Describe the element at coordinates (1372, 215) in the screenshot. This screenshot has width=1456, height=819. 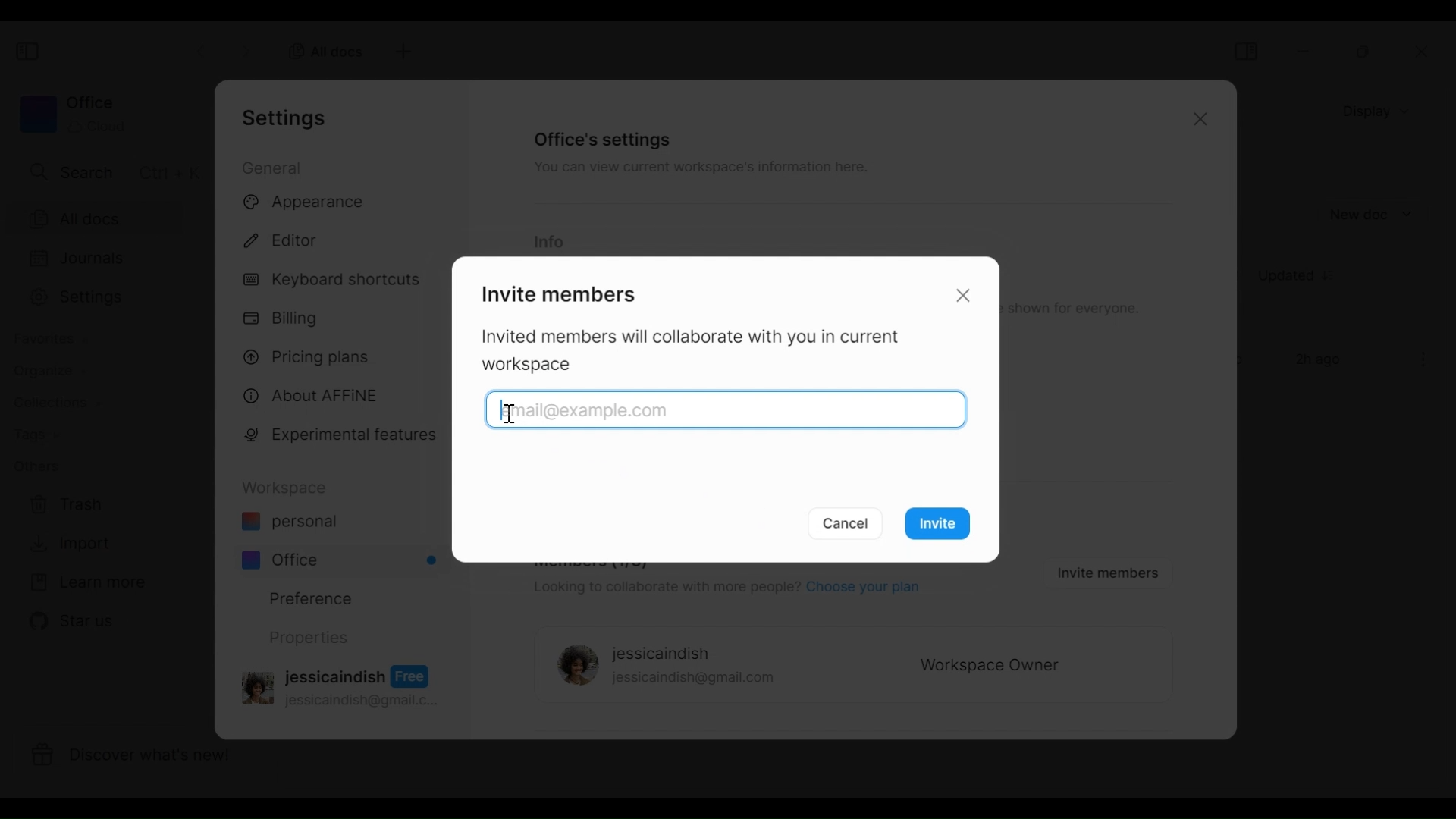
I see `New document` at that location.